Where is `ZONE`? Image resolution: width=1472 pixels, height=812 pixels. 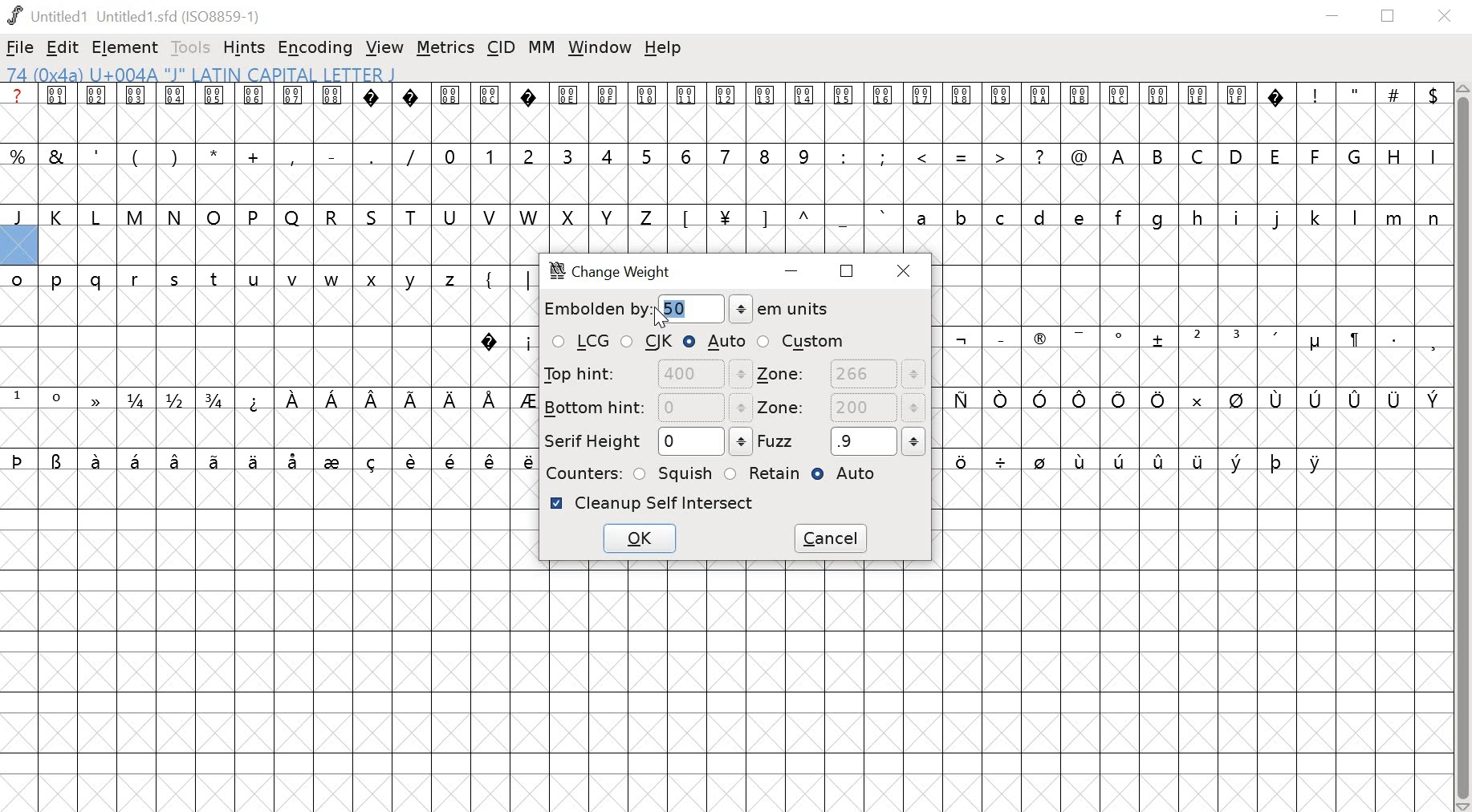
ZONE is located at coordinates (840, 409).